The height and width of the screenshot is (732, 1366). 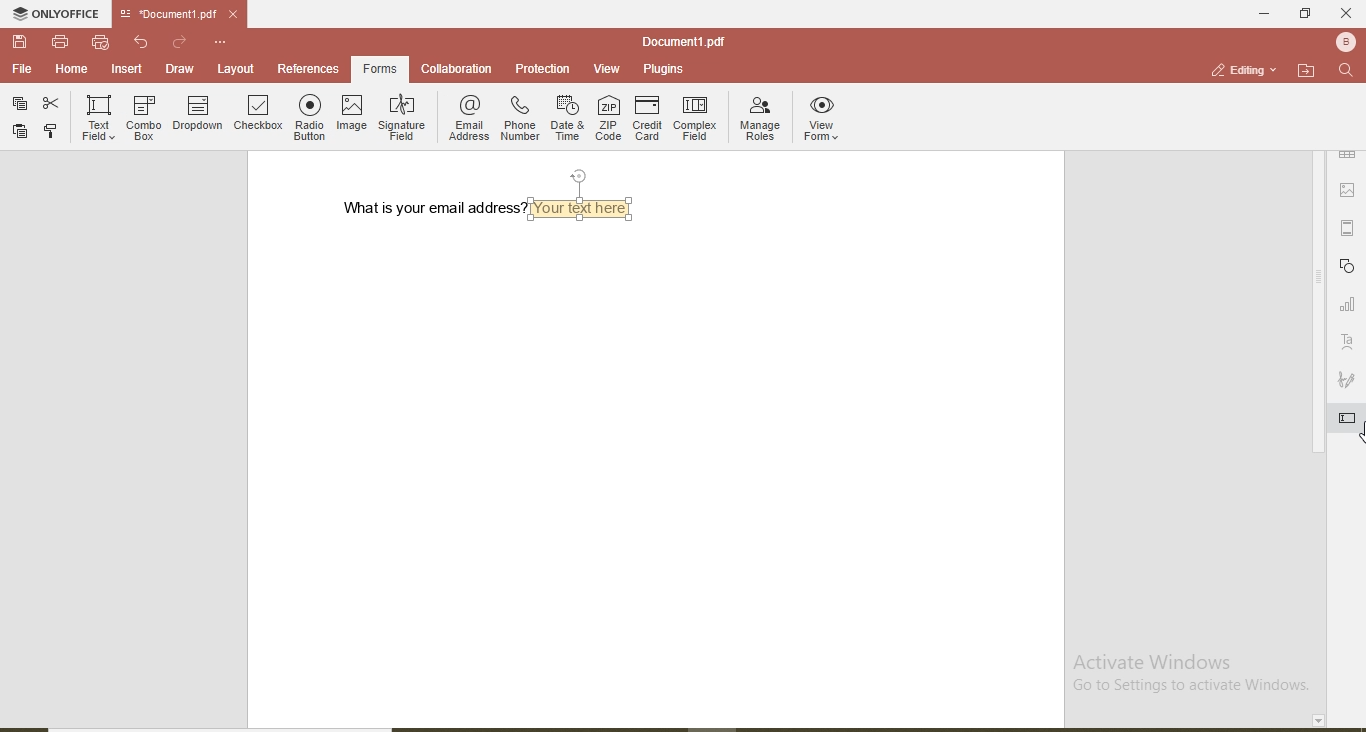 I want to click on what is your email address?, so click(x=425, y=208).